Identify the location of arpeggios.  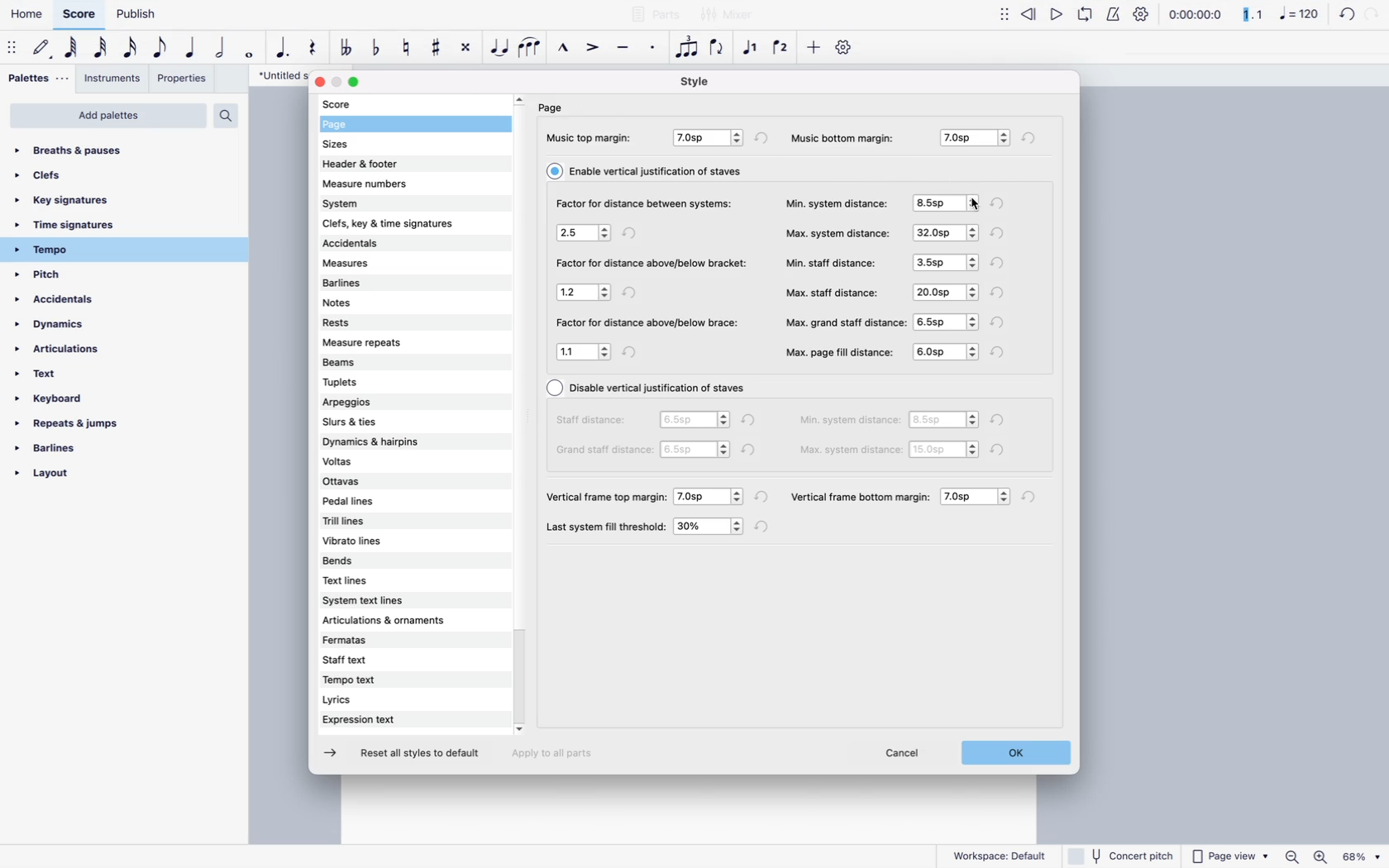
(387, 403).